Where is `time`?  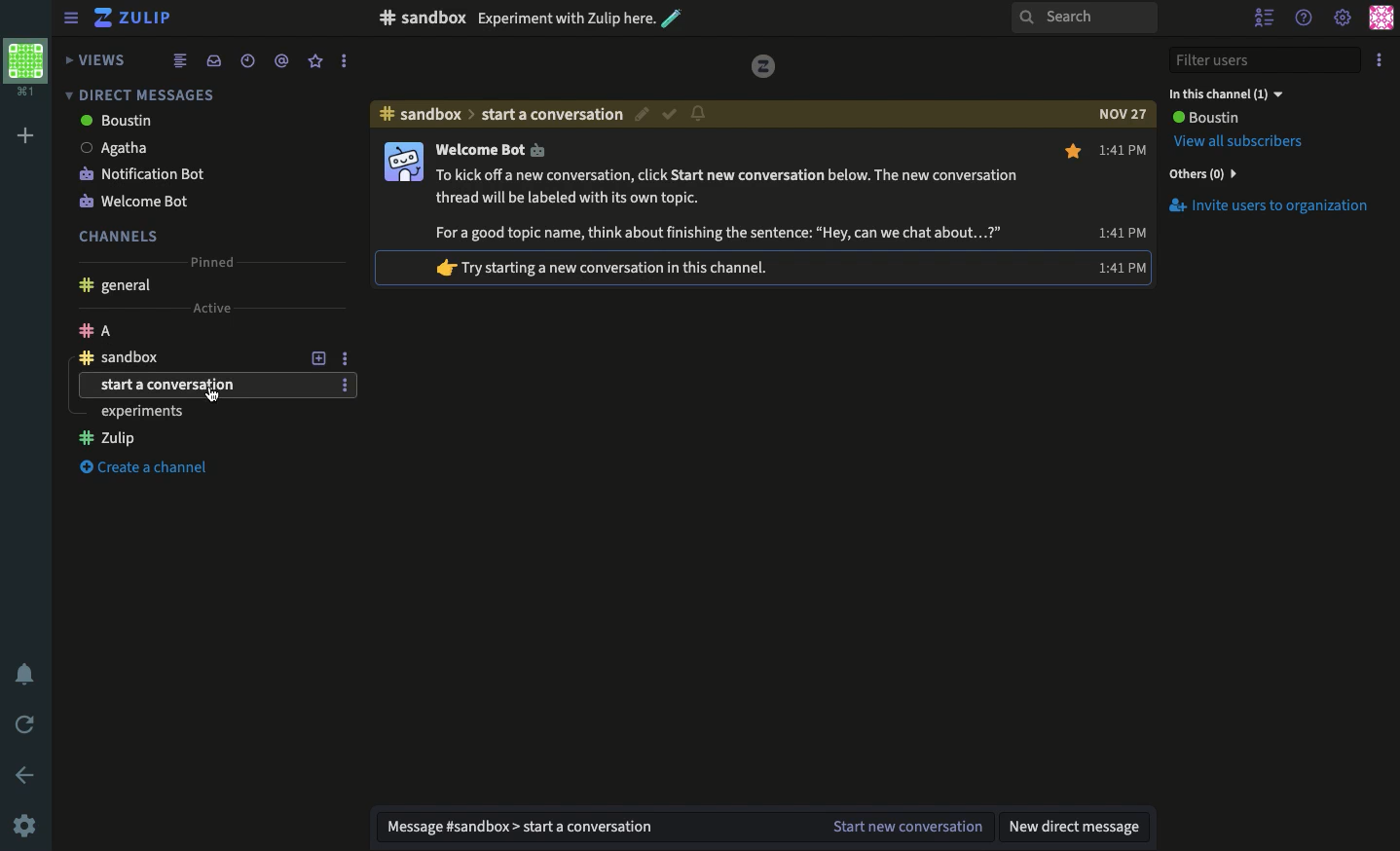
time is located at coordinates (1121, 266).